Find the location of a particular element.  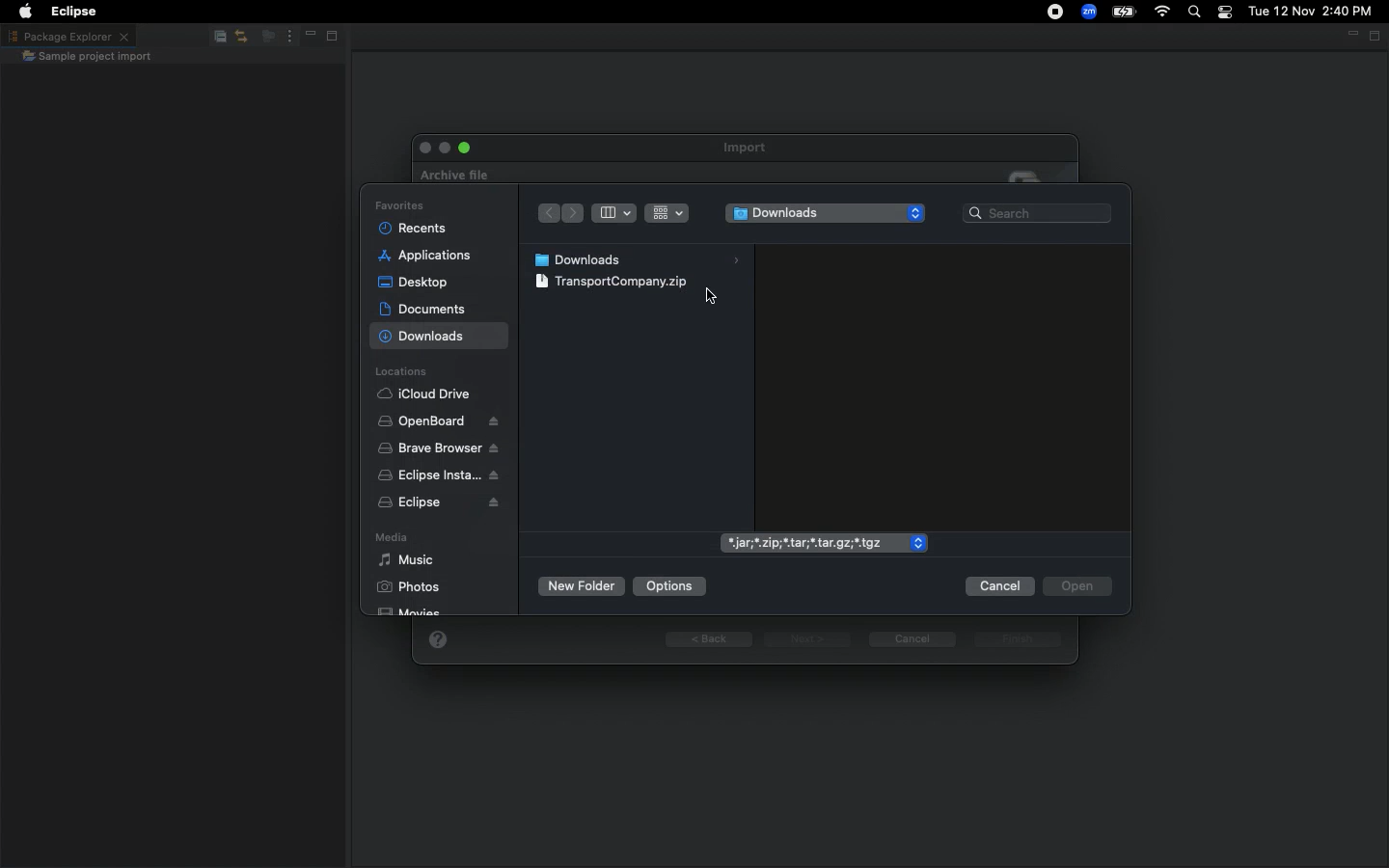

close is located at coordinates (422, 149).